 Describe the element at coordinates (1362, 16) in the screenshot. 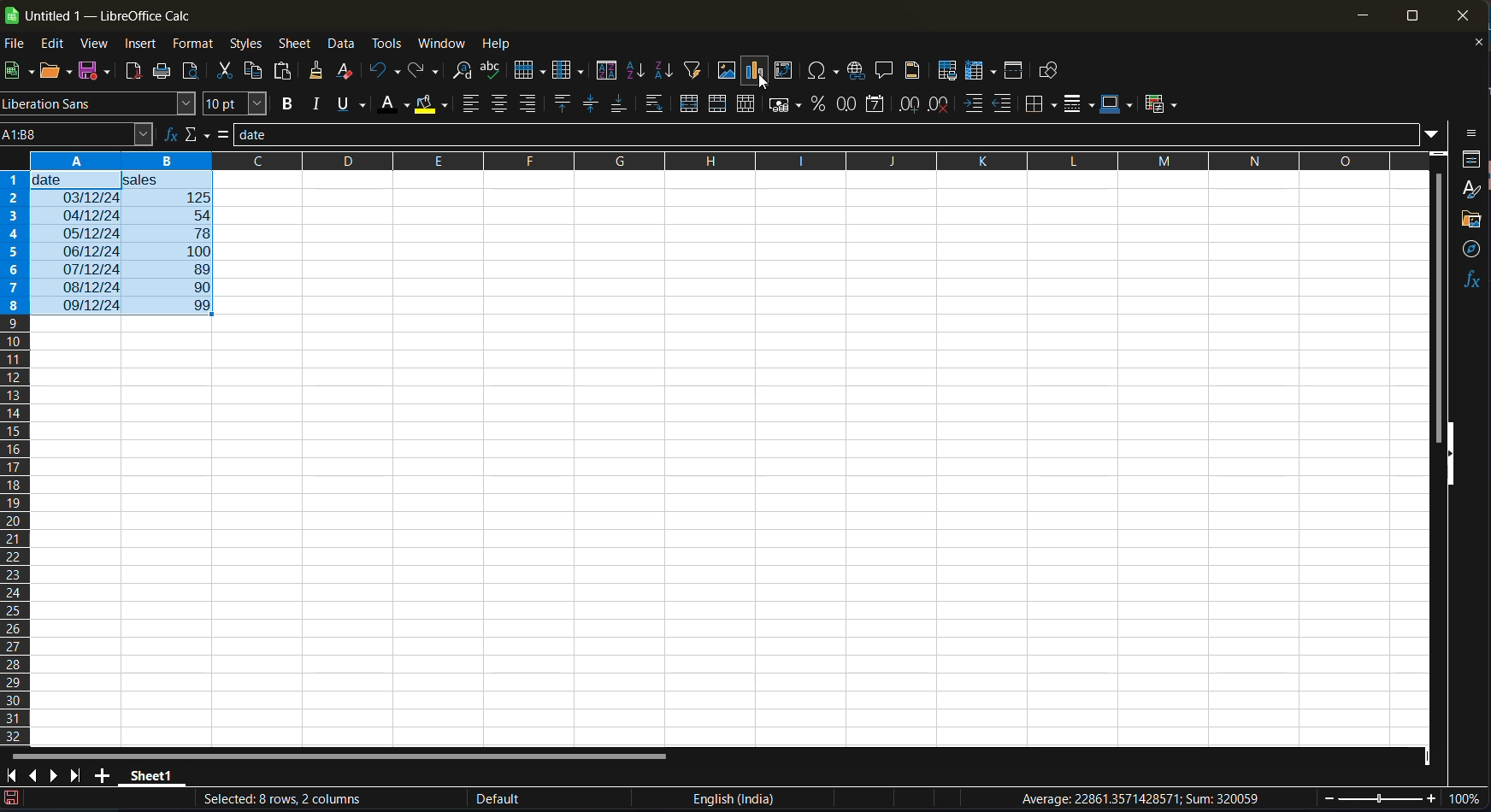

I see `minimize` at that location.